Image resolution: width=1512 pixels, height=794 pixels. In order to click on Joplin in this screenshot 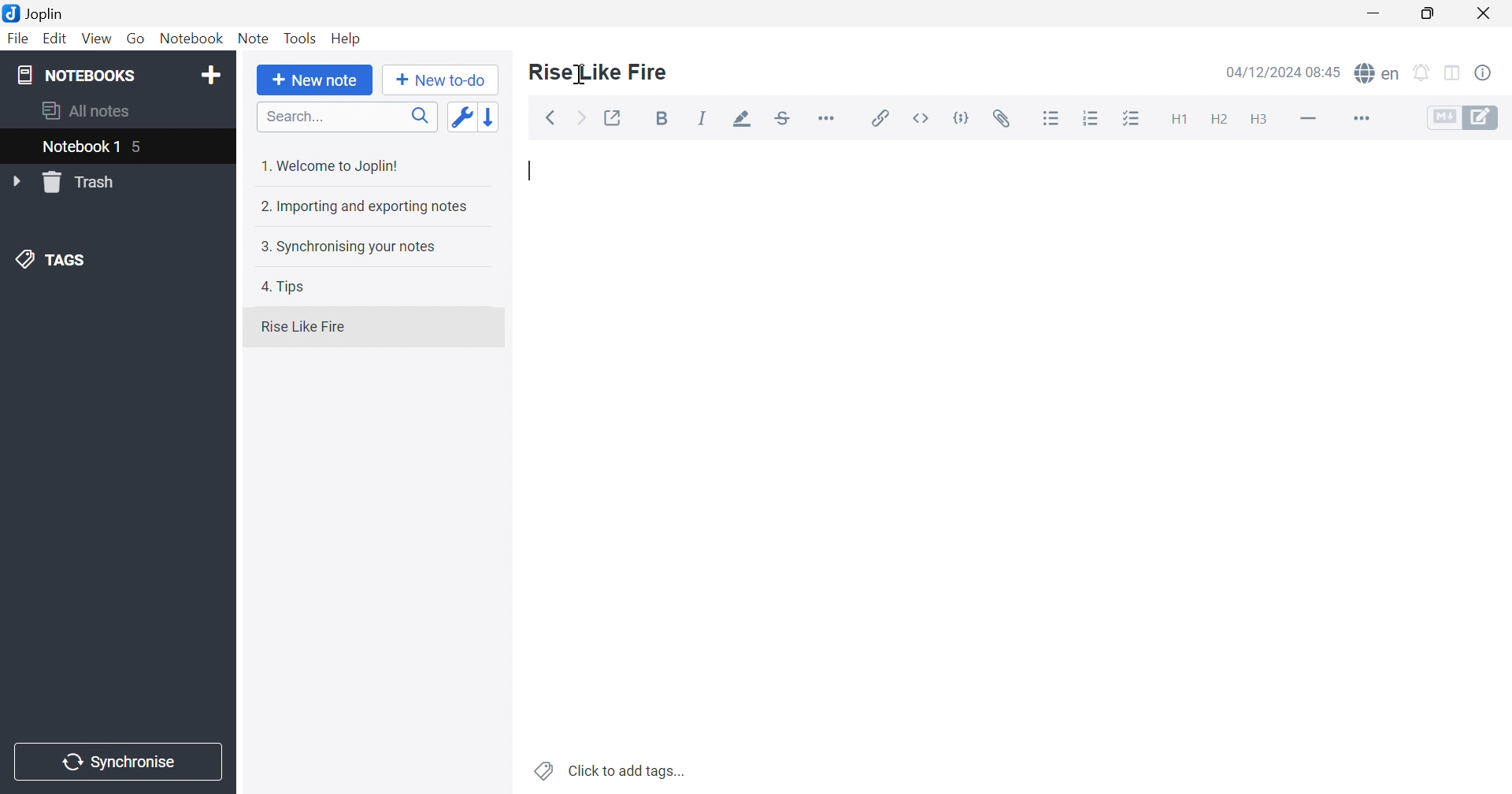, I will do `click(35, 13)`.